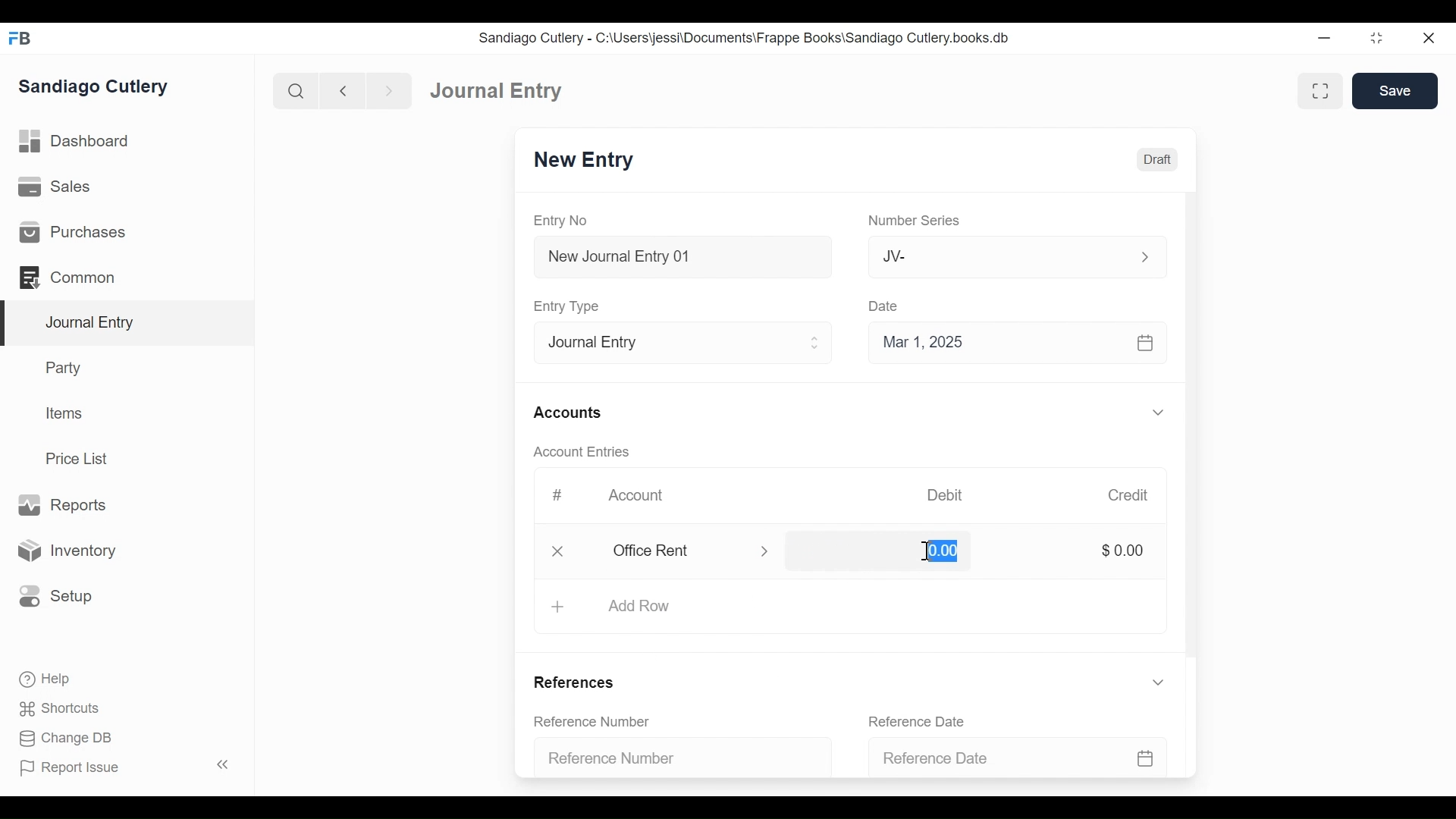 This screenshot has height=819, width=1456. Describe the element at coordinates (635, 496) in the screenshot. I see `Account` at that location.